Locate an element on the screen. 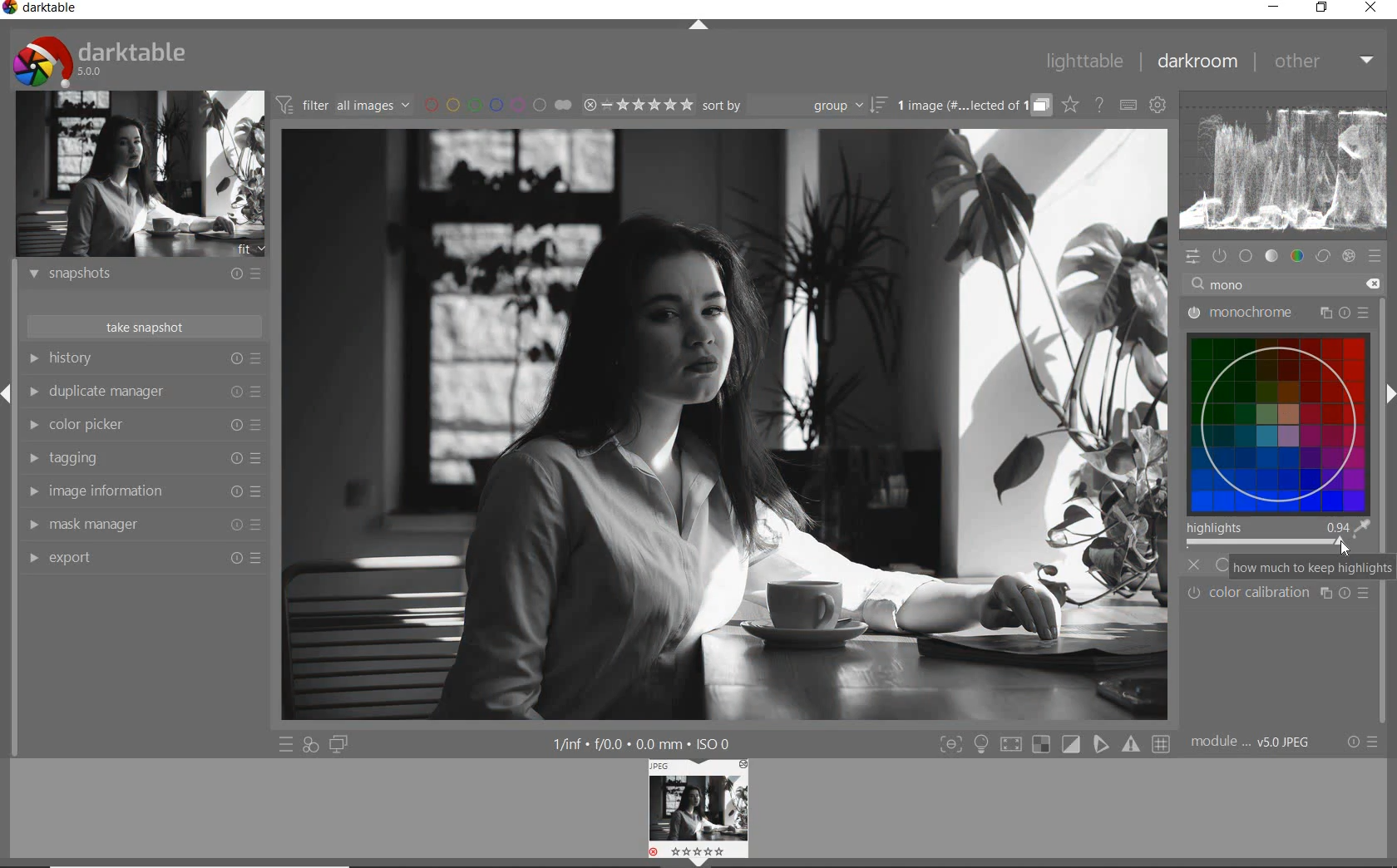 The image size is (1397, 868). image information is located at coordinates (143, 492).